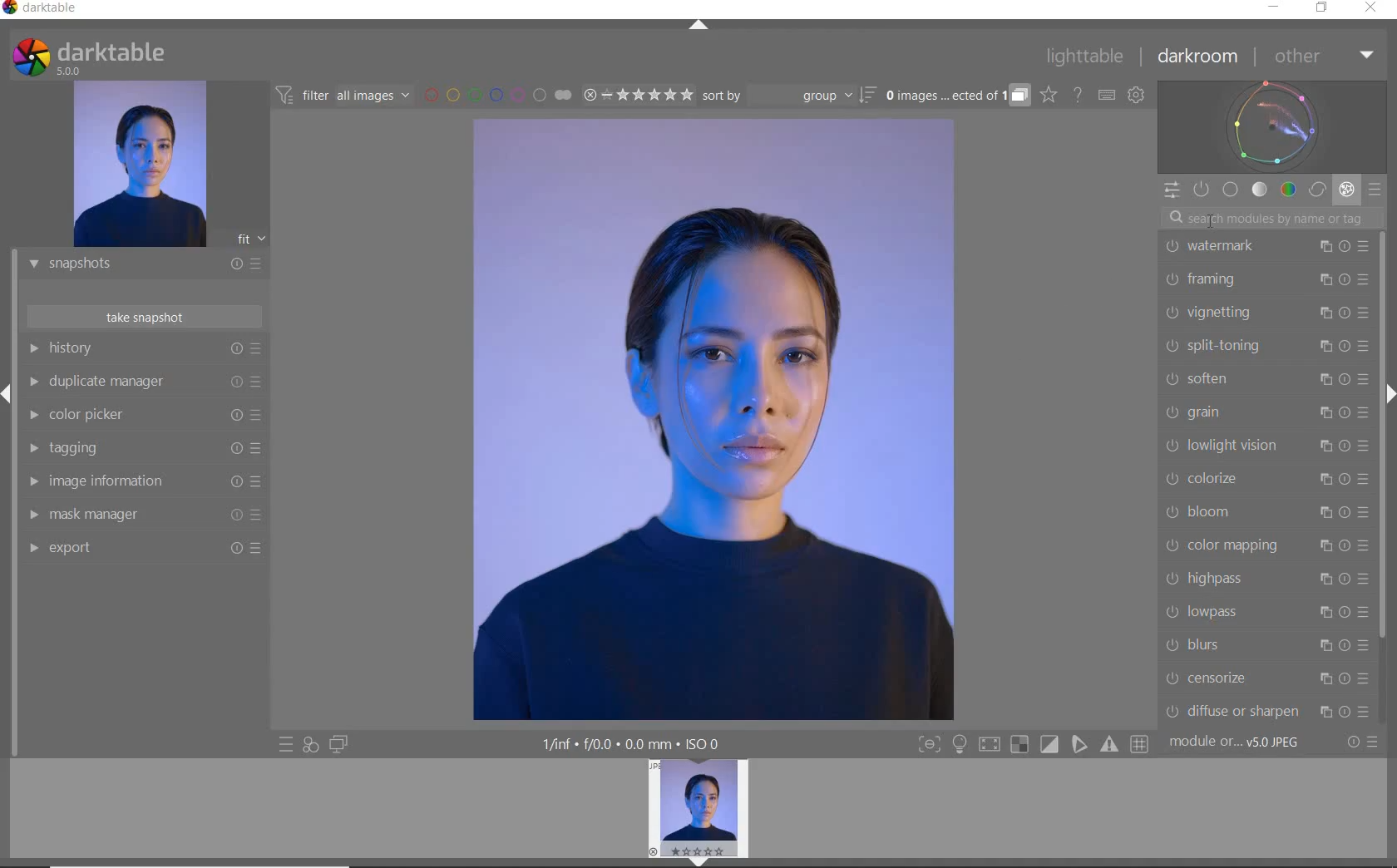  What do you see at coordinates (1085, 59) in the screenshot?
I see `LIGHTTABLE` at bounding box center [1085, 59].